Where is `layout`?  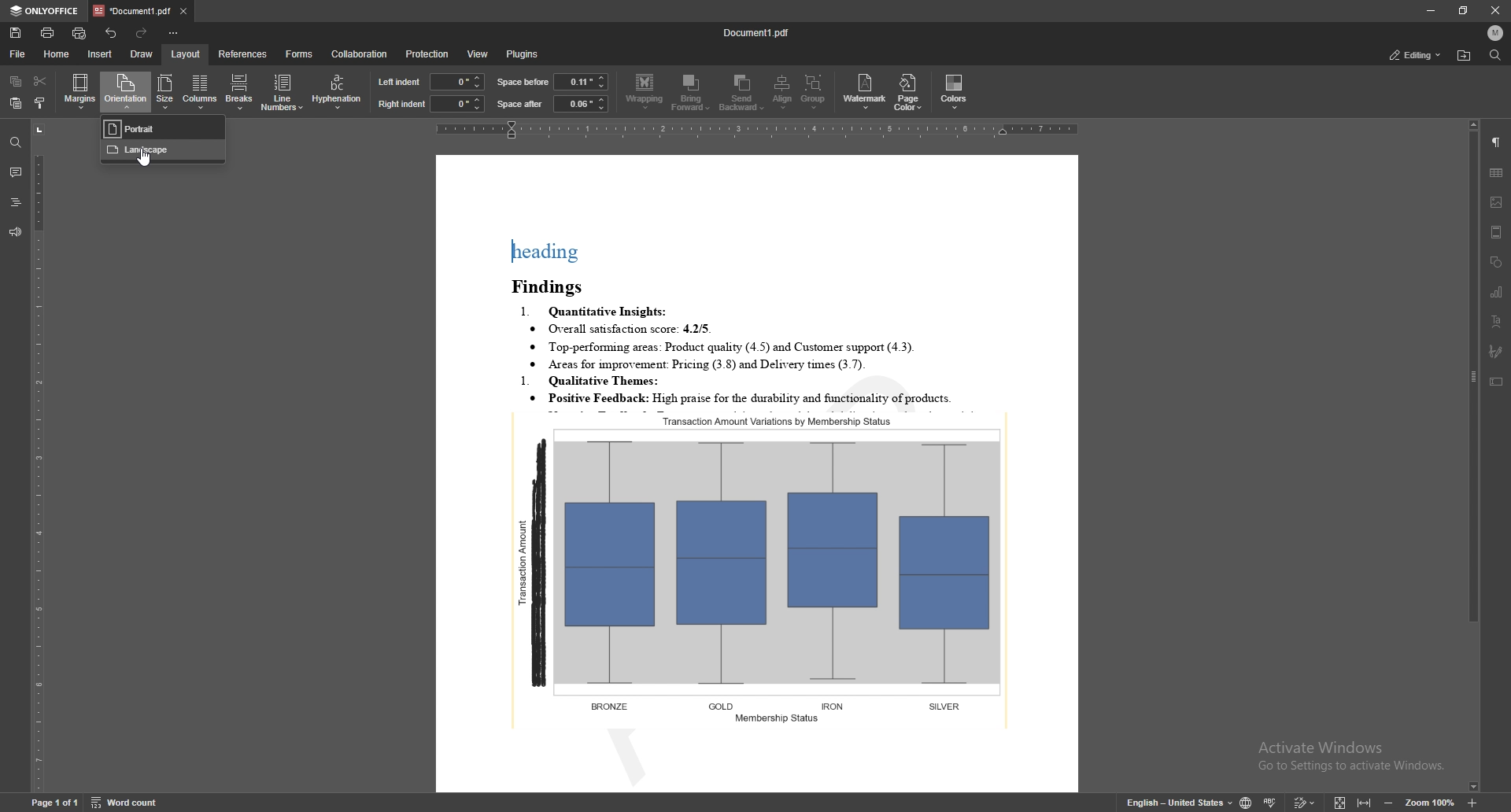 layout is located at coordinates (187, 54).